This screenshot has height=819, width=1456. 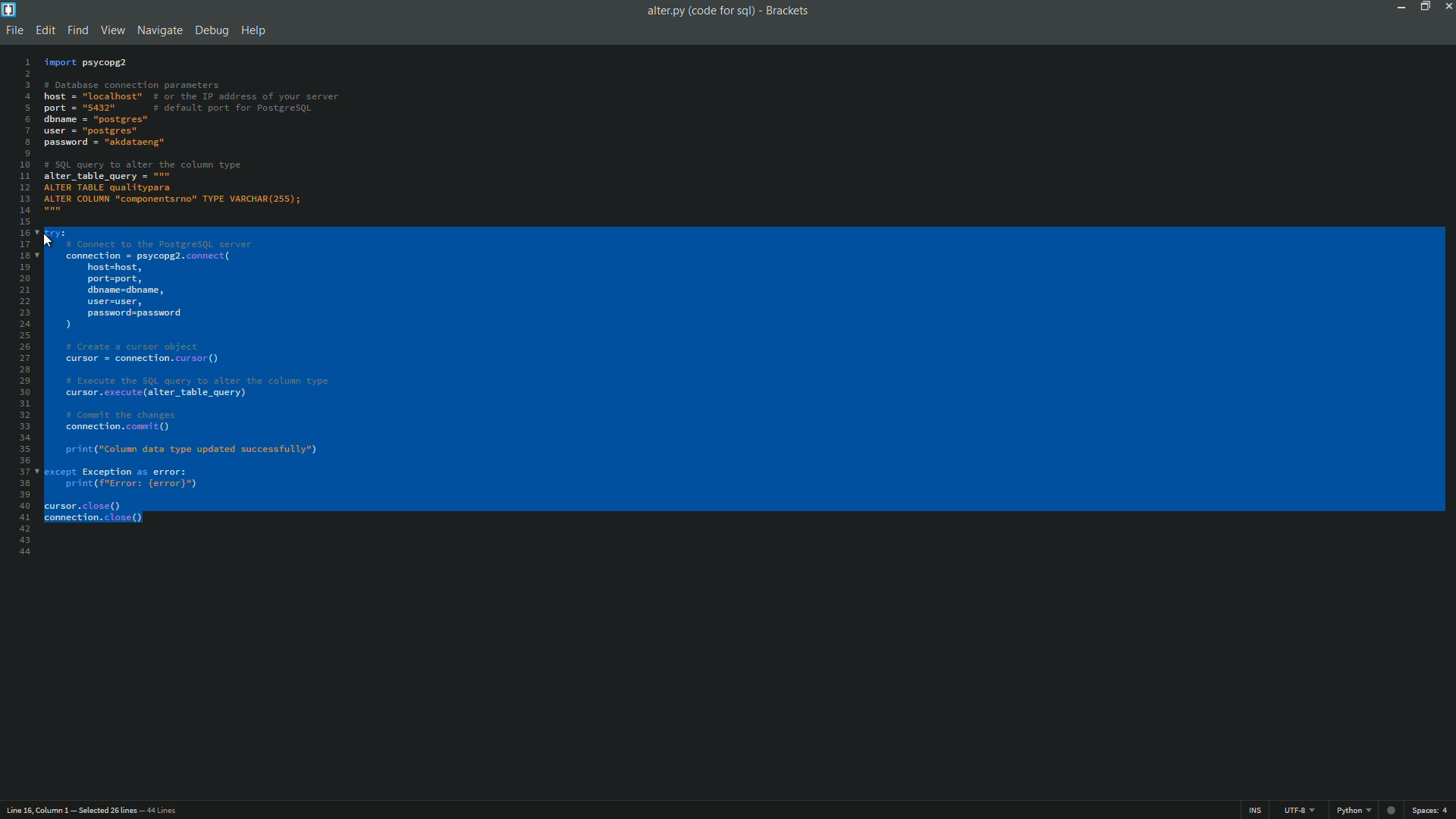 I want to click on edit menu, so click(x=44, y=30).